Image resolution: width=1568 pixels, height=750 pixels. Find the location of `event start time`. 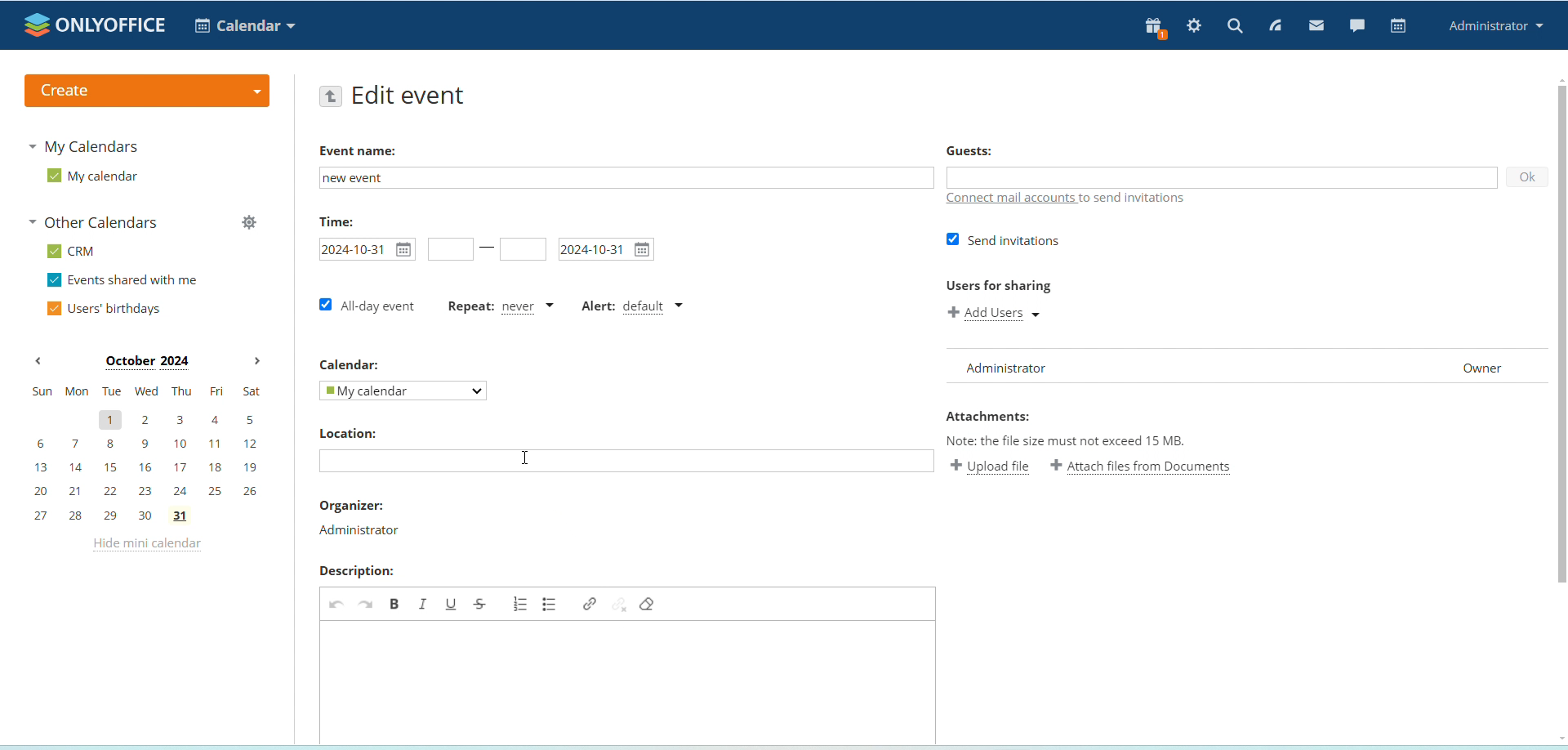

event start time is located at coordinates (449, 250).